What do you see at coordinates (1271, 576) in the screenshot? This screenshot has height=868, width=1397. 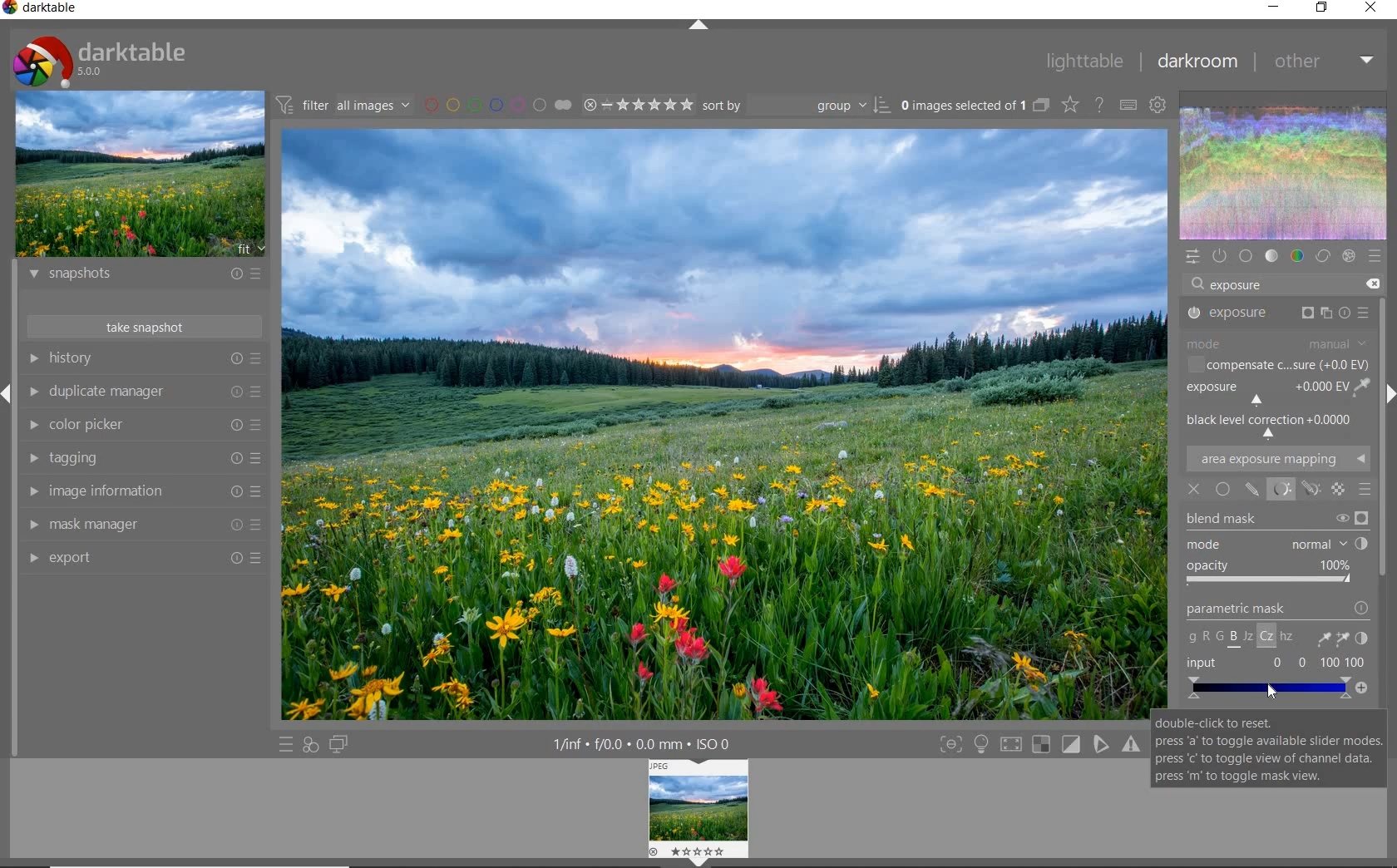 I see `opacity` at bounding box center [1271, 576].